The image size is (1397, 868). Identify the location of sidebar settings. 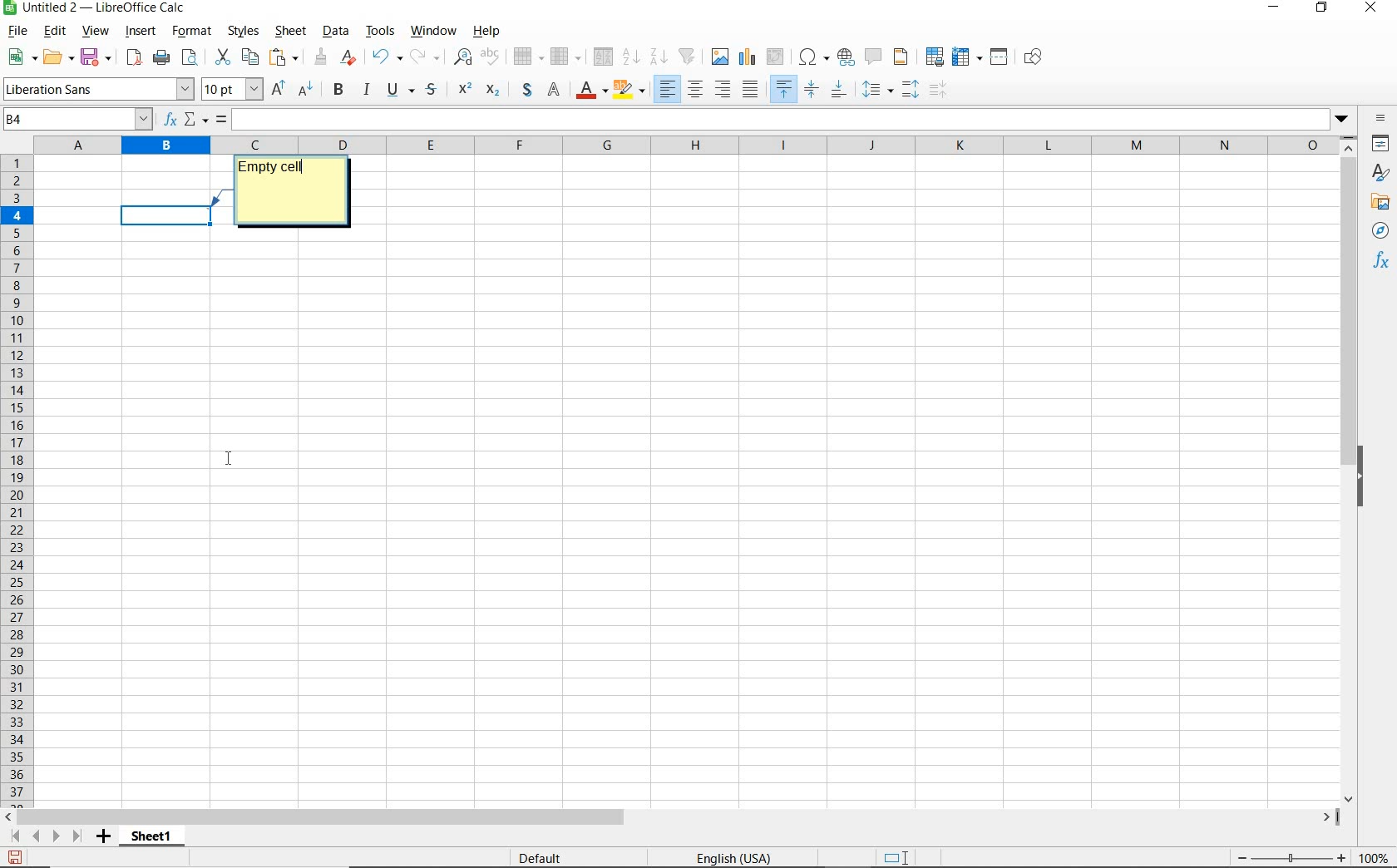
(1380, 118).